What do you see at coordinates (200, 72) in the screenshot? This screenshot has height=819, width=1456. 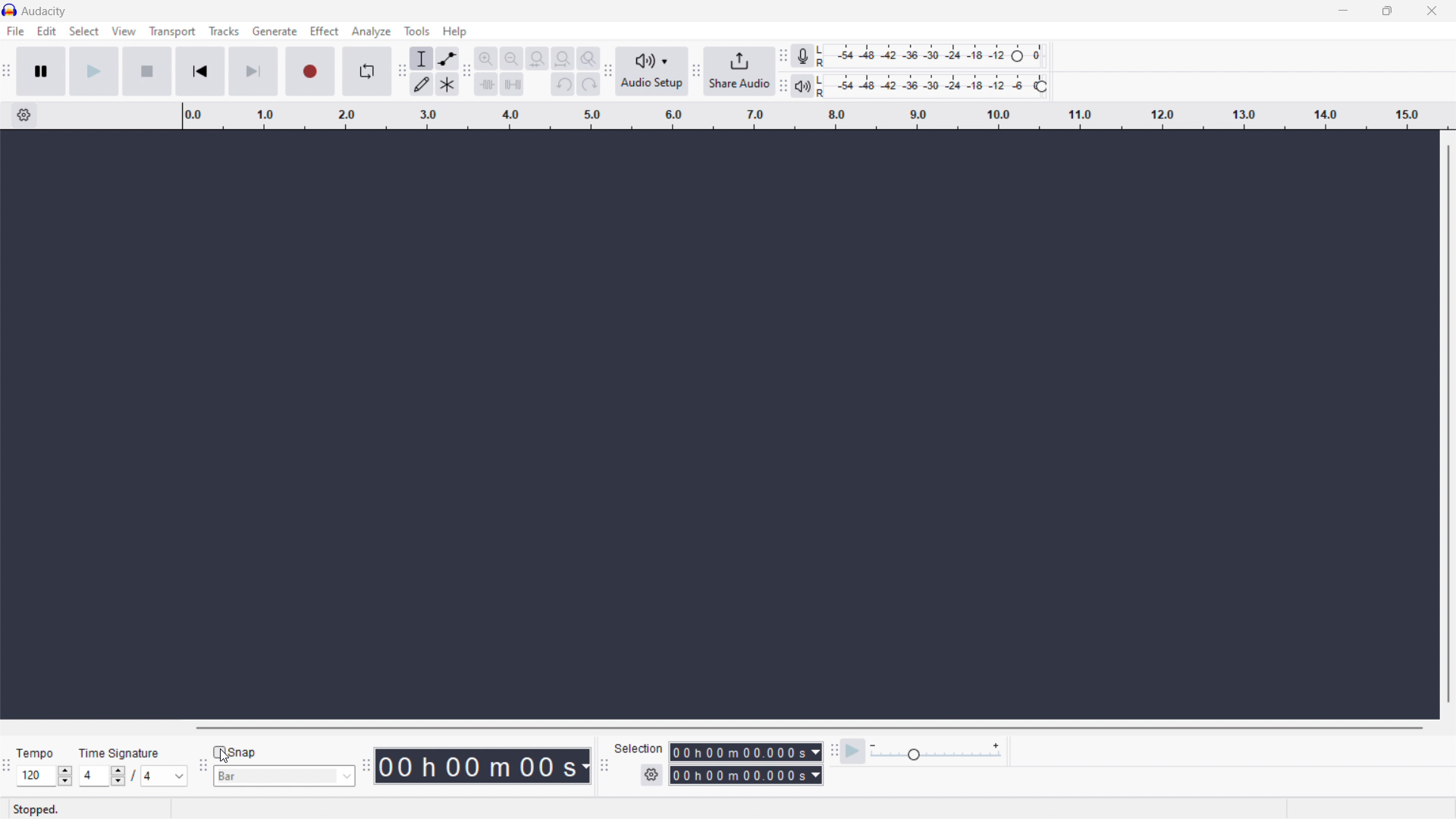 I see `skip to start` at bounding box center [200, 72].